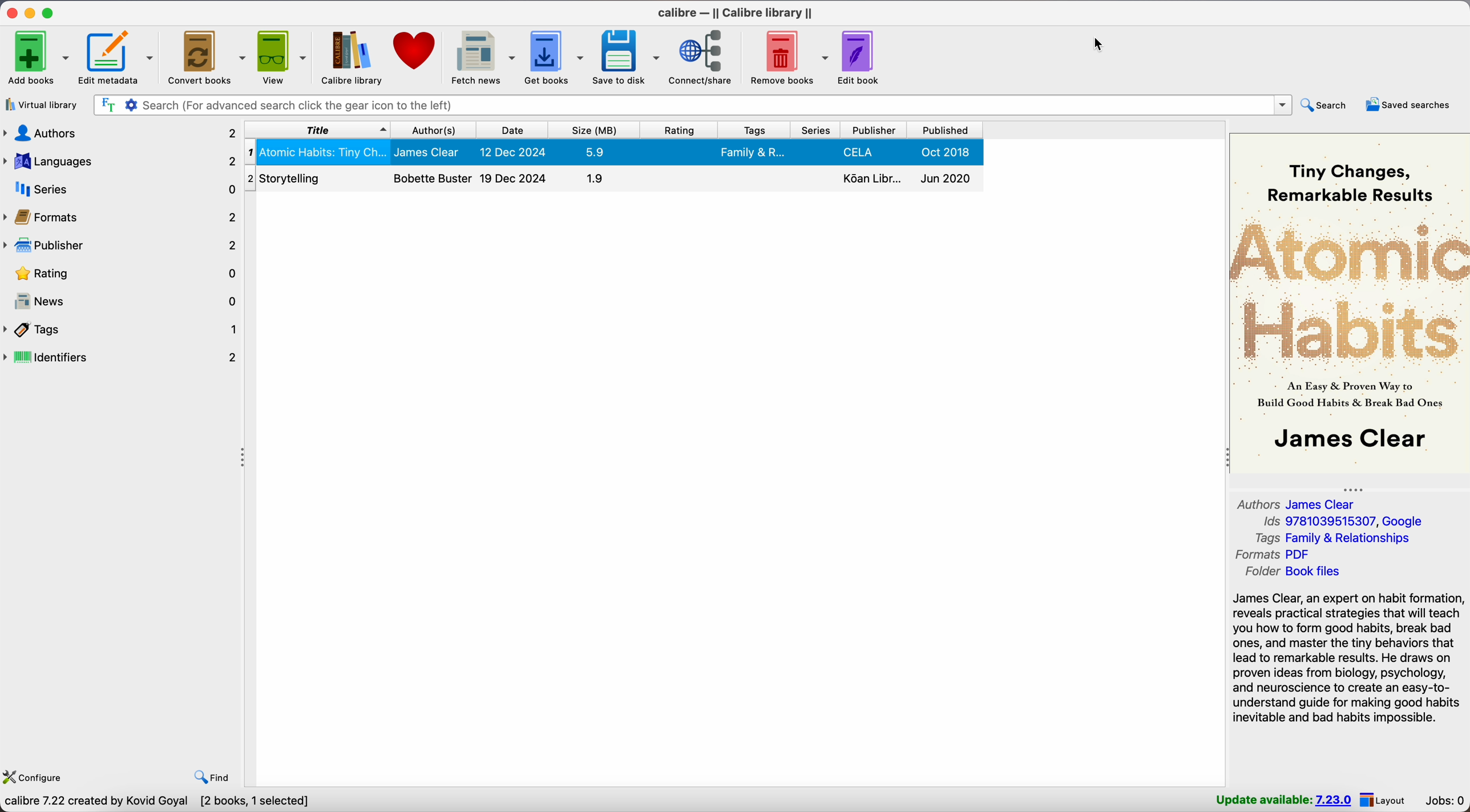  I want to click on fetch news, so click(480, 56).